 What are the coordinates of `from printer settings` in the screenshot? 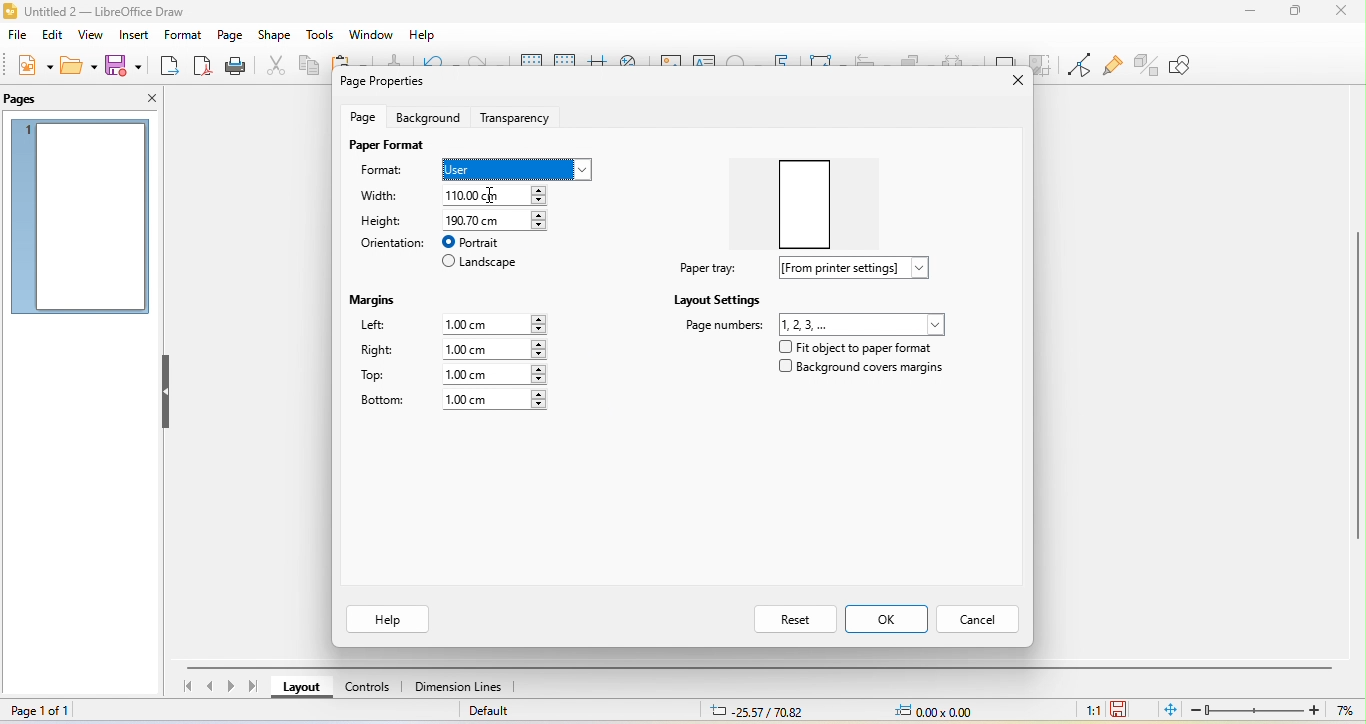 It's located at (862, 268).